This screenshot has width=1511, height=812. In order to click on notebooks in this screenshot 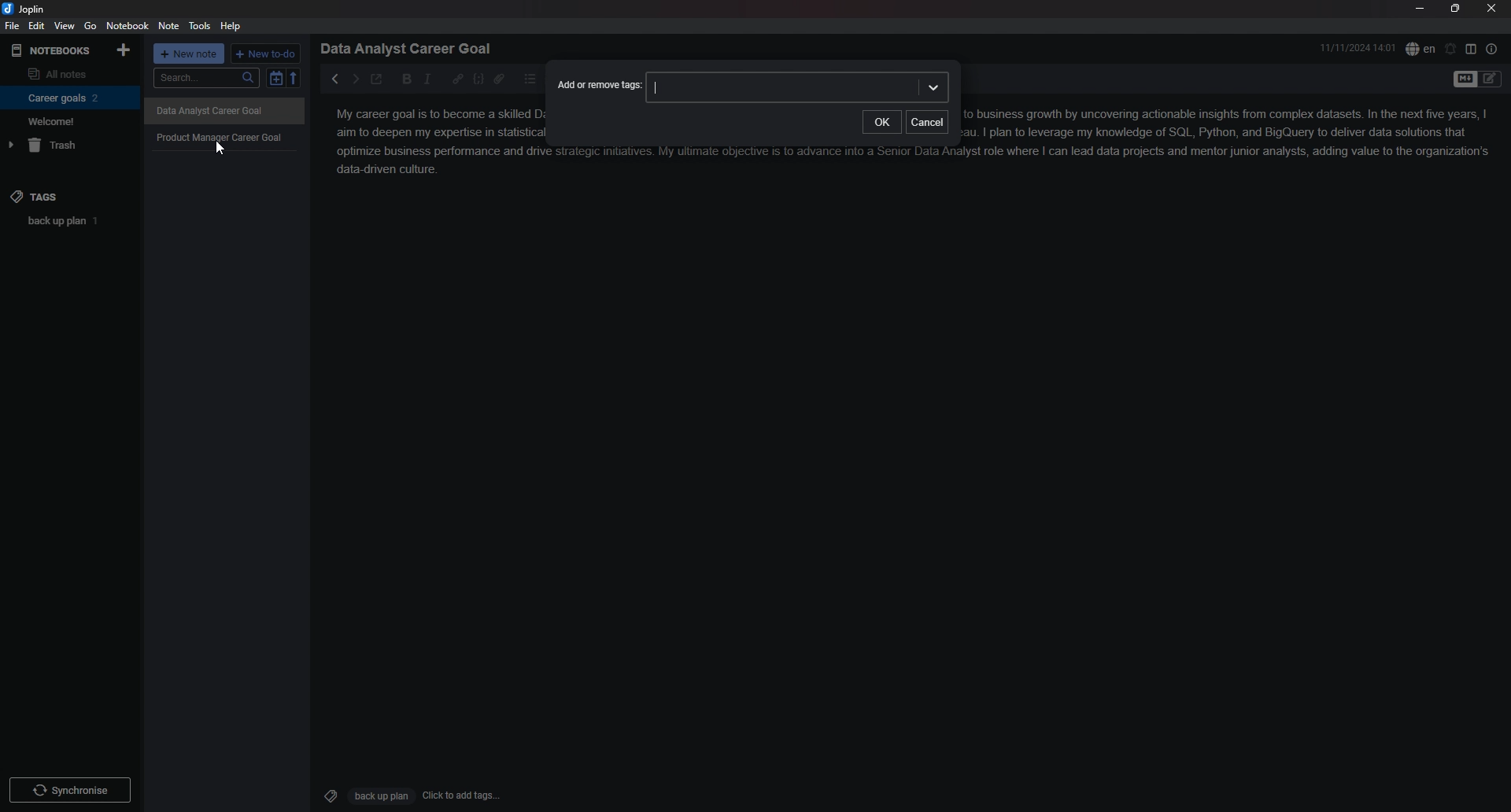, I will do `click(53, 51)`.